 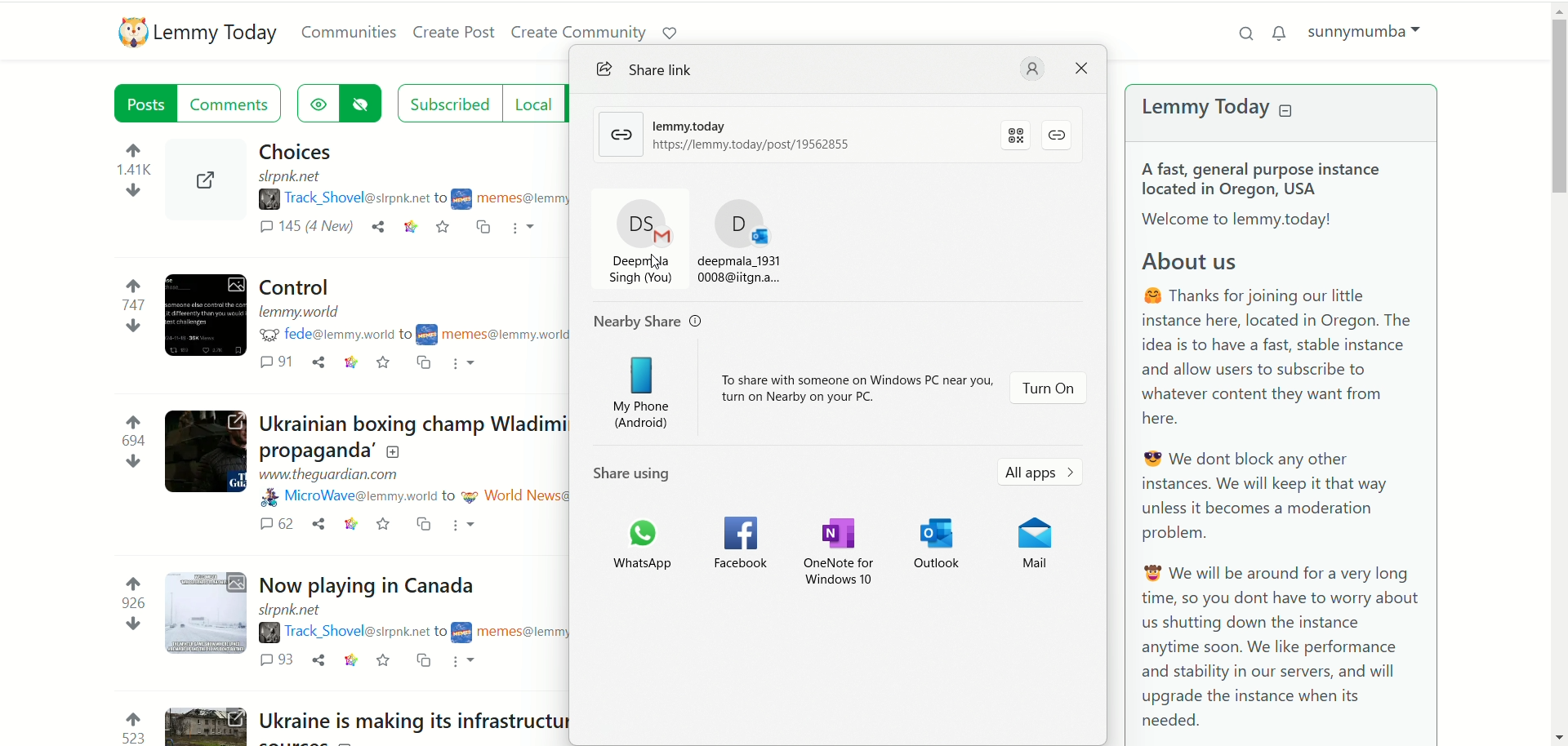 What do you see at coordinates (1282, 33) in the screenshot?
I see `notification` at bounding box center [1282, 33].